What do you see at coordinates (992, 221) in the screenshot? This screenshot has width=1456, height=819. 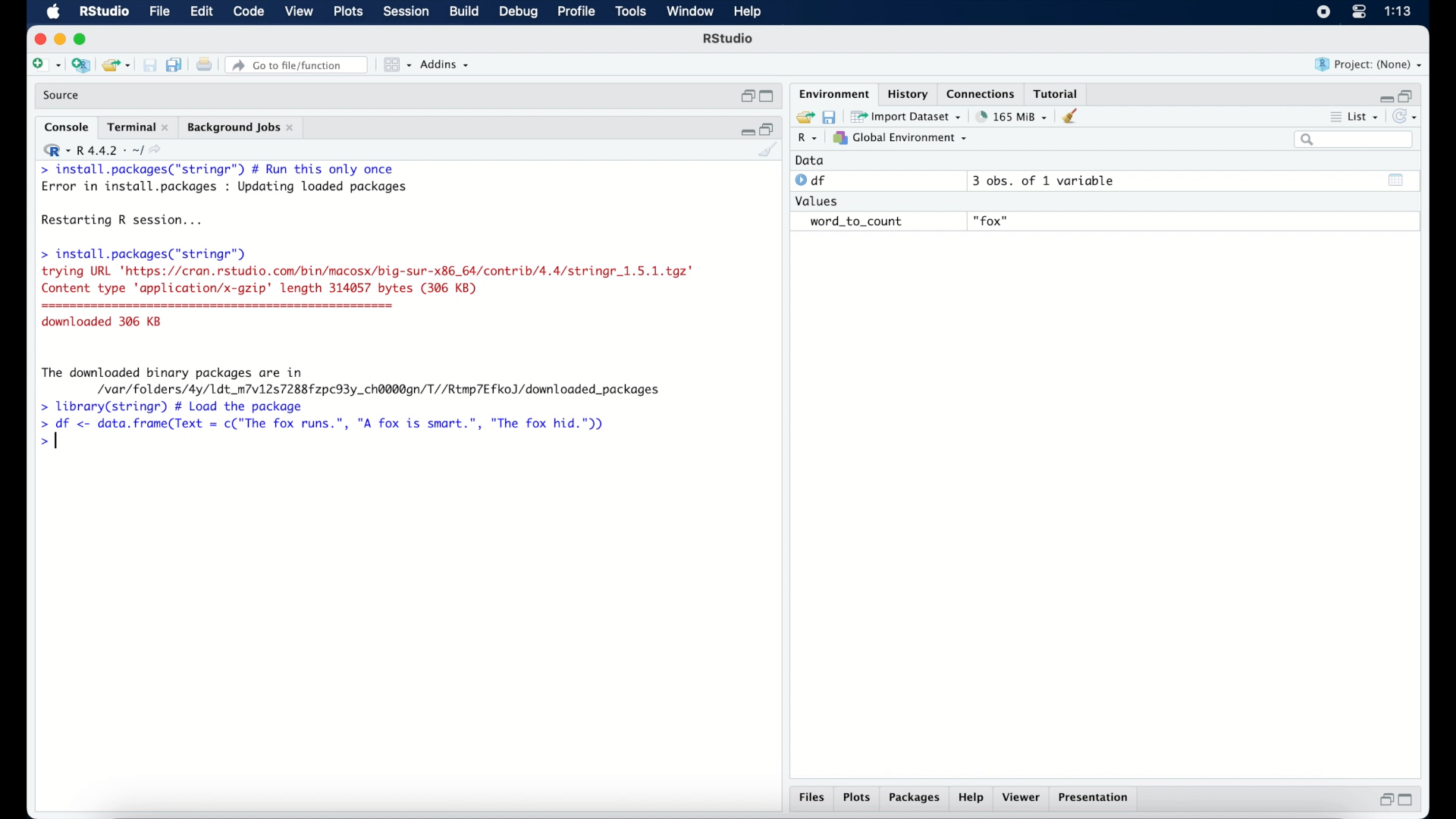 I see `fox` at bounding box center [992, 221].